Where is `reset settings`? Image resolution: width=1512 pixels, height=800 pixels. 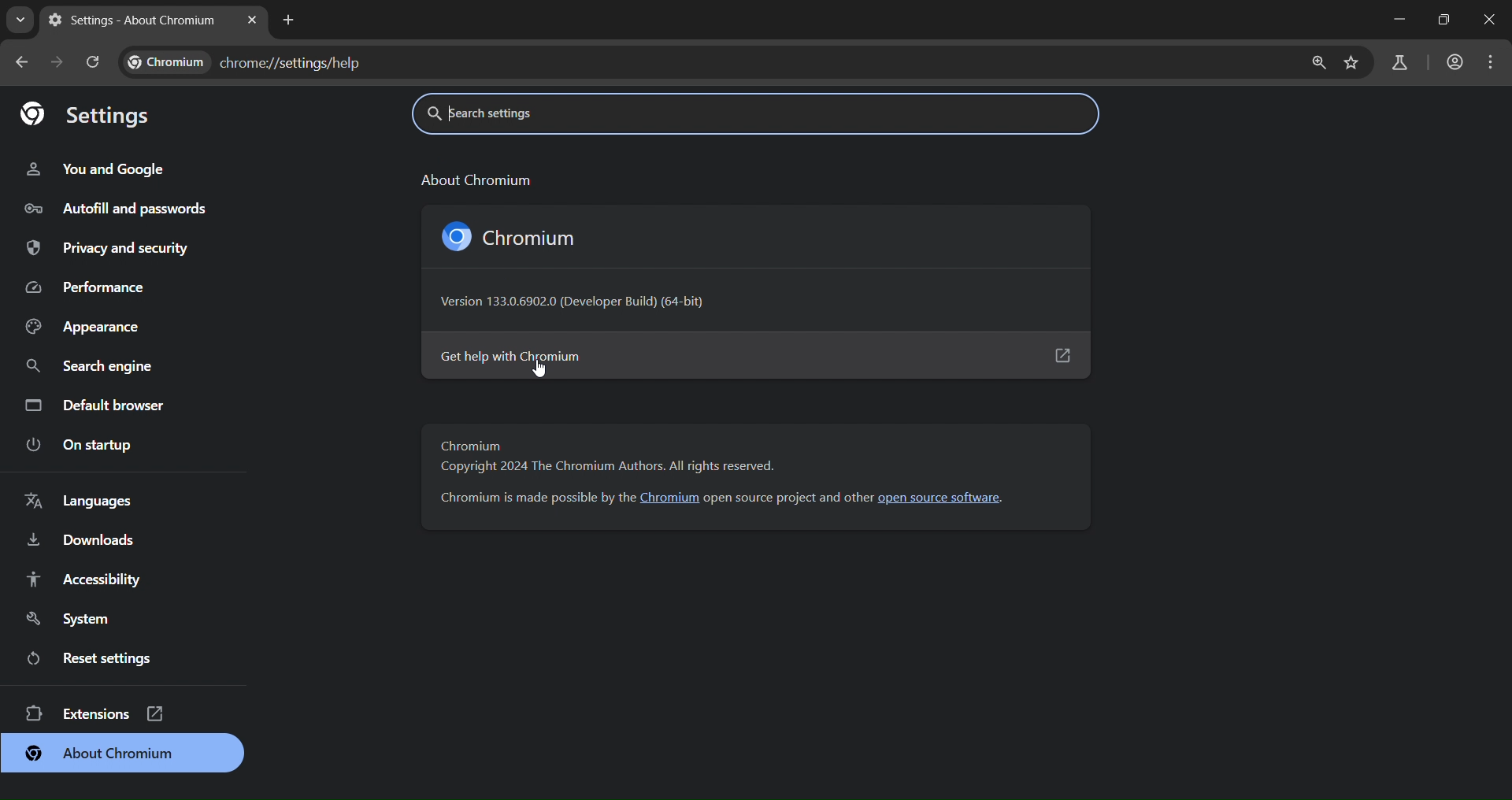 reset settings is located at coordinates (100, 657).